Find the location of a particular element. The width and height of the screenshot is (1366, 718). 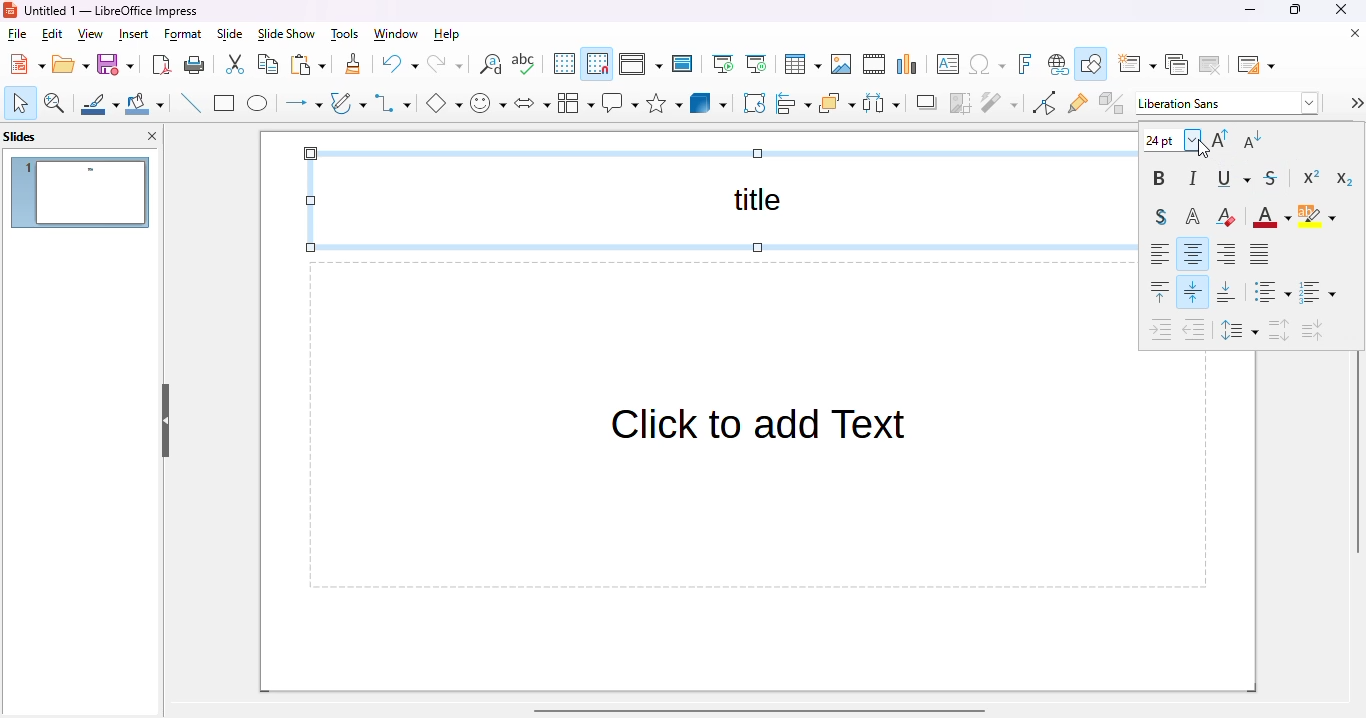

insert line is located at coordinates (190, 102).